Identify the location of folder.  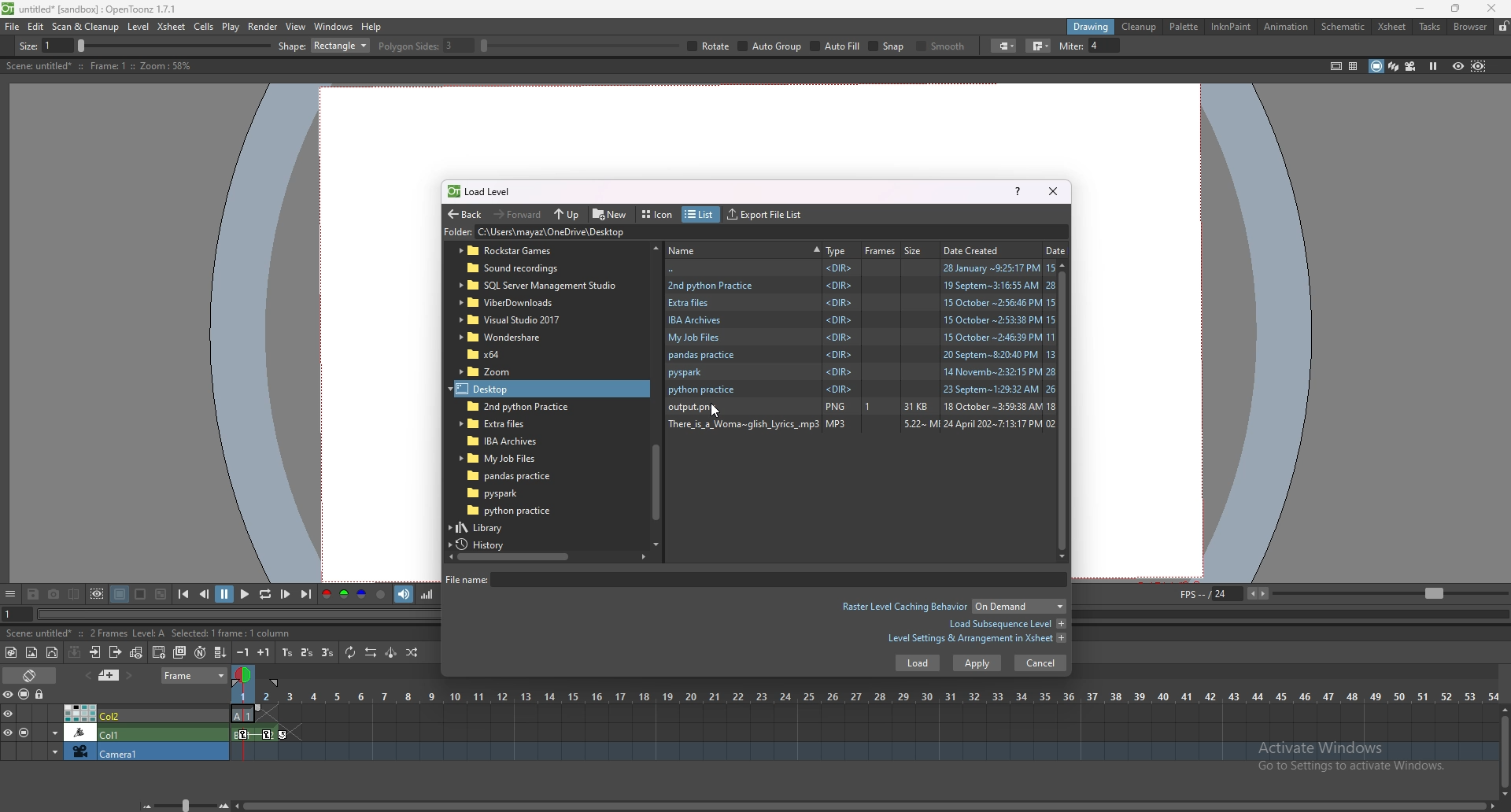
(519, 302).